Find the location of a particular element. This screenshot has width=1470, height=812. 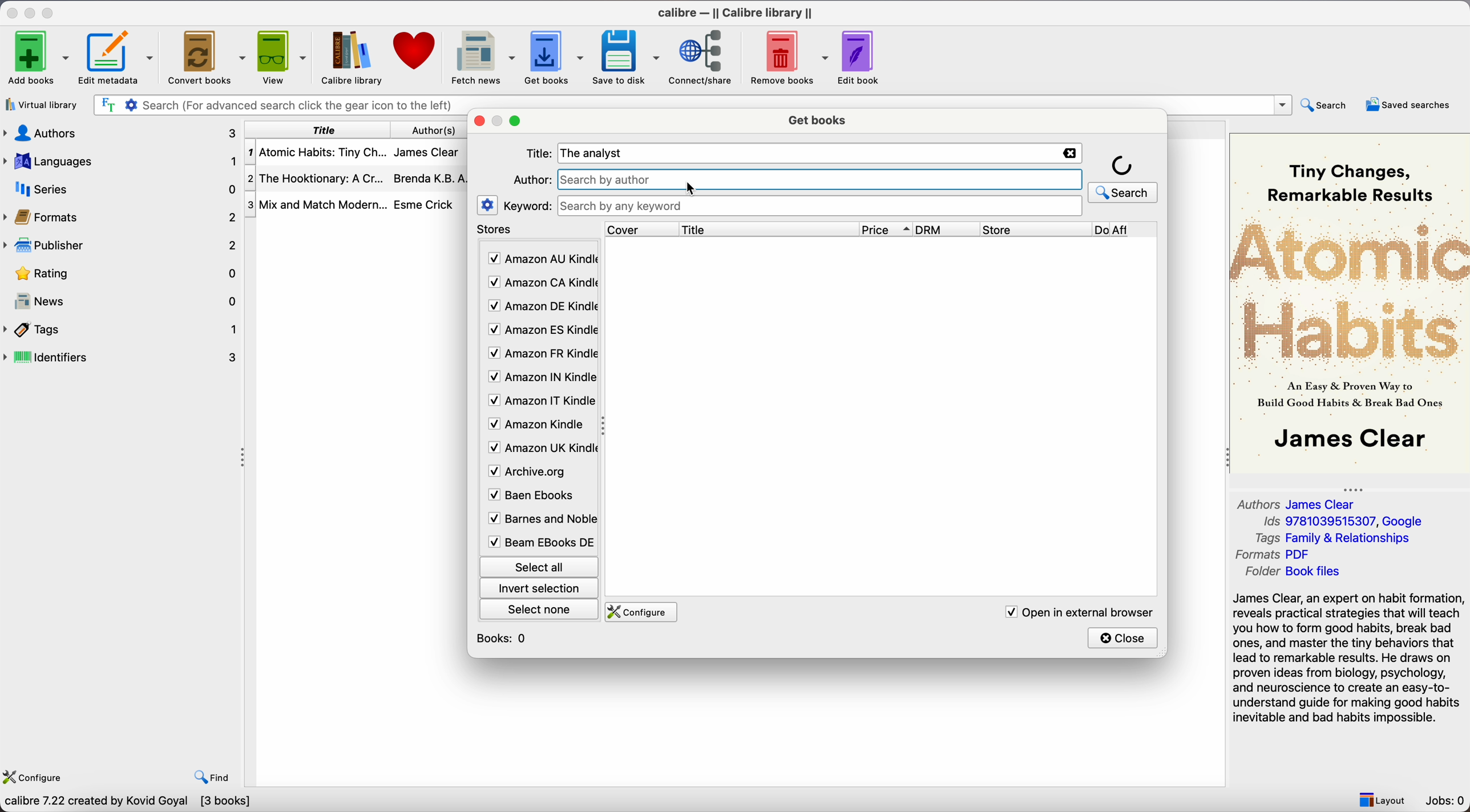

Title: is located at coordinates (540, 153).